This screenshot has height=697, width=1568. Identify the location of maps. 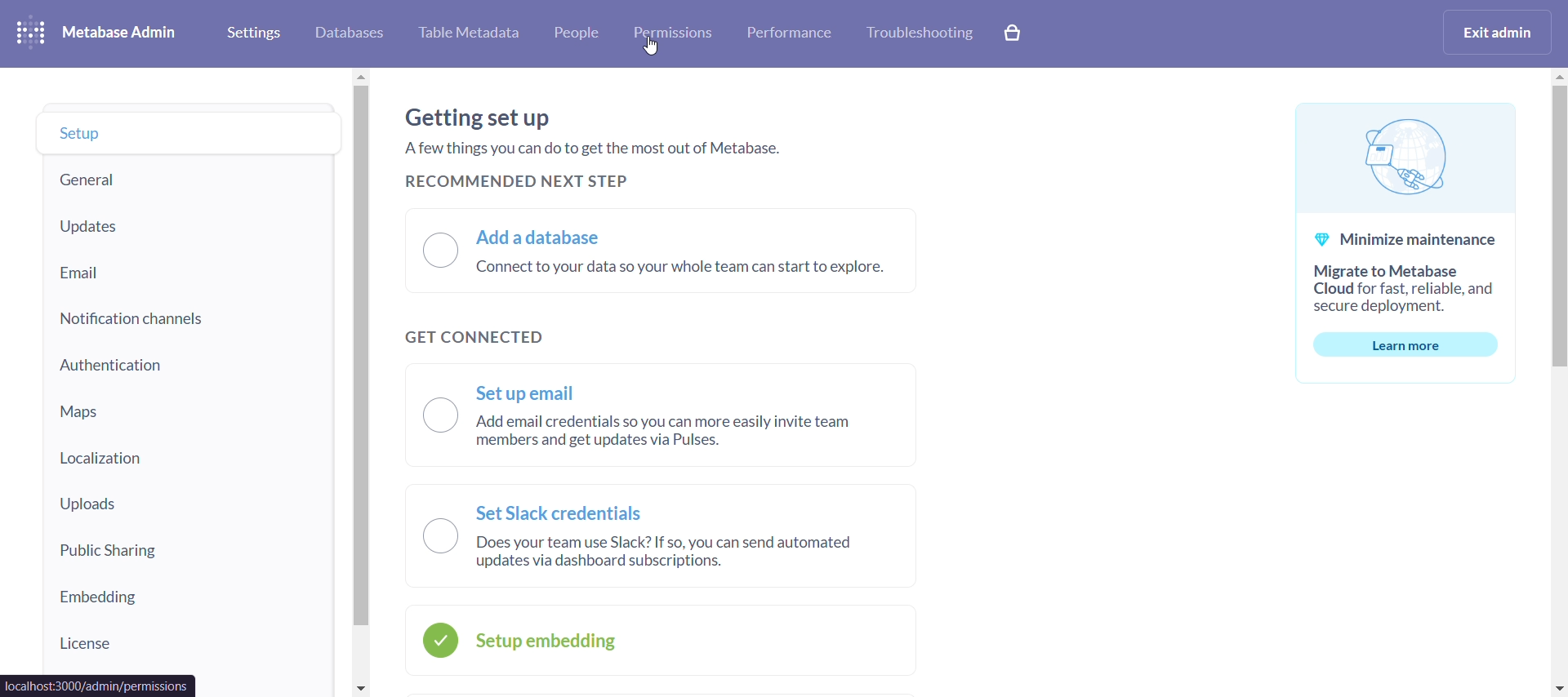
(187, 413).